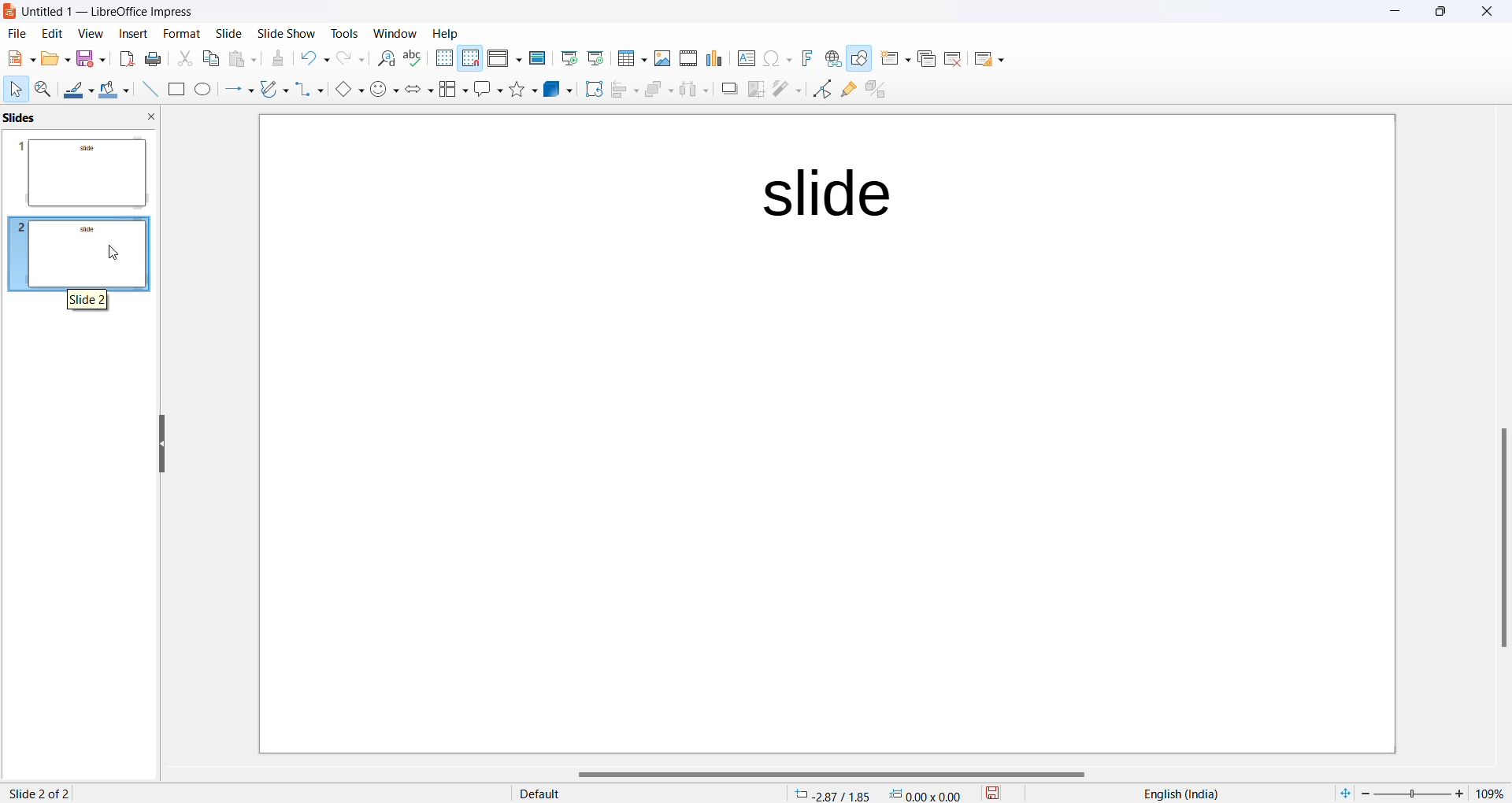 The image size is (1512, 803). What do you see at coordinates (272, 90) in the screenshot?
I see `curve and polygons` at bounding box center [272, 90].